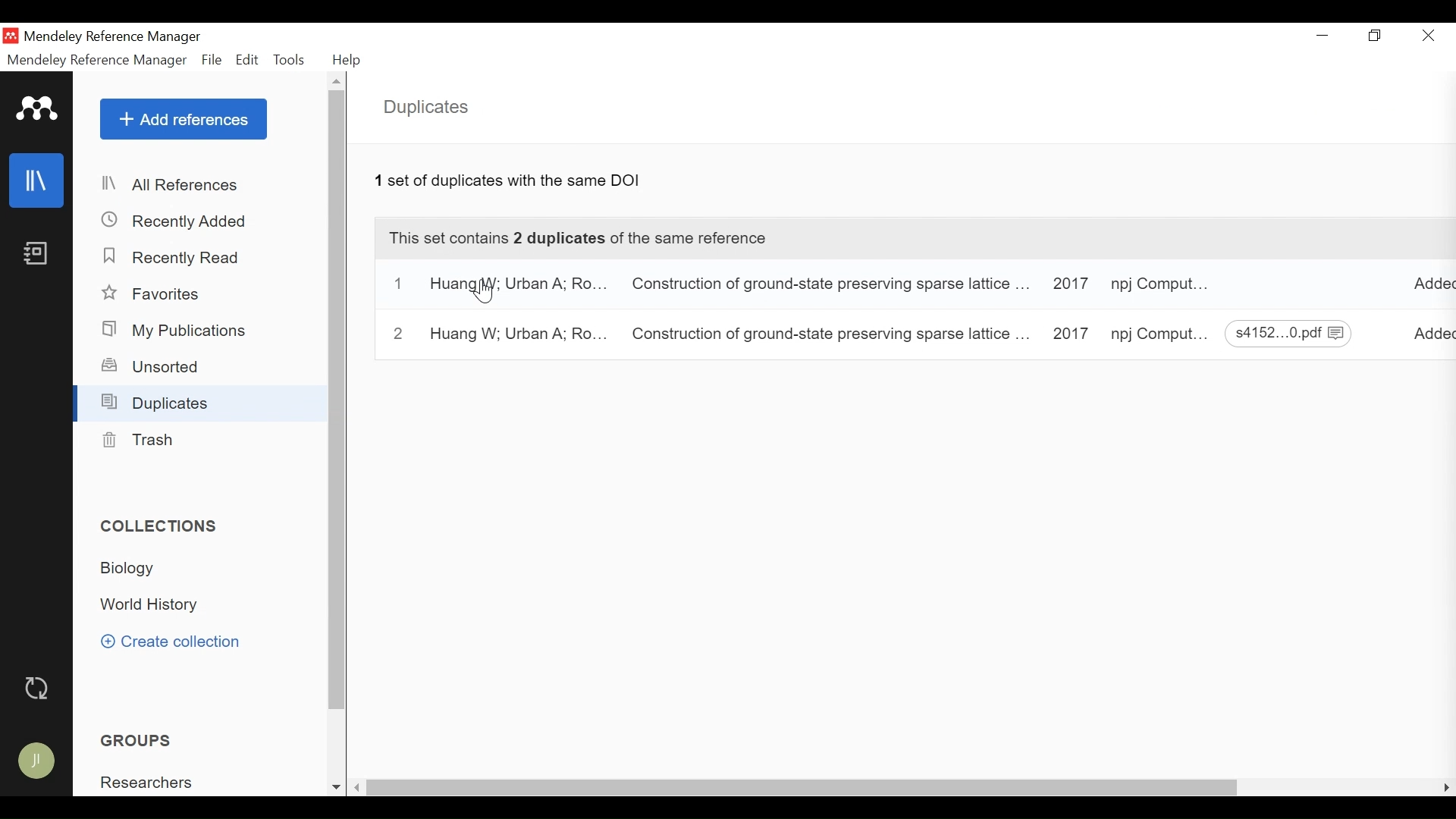 This screenshot has height=819, width=1456. I want to click on Duplicates, so click(428, 107).